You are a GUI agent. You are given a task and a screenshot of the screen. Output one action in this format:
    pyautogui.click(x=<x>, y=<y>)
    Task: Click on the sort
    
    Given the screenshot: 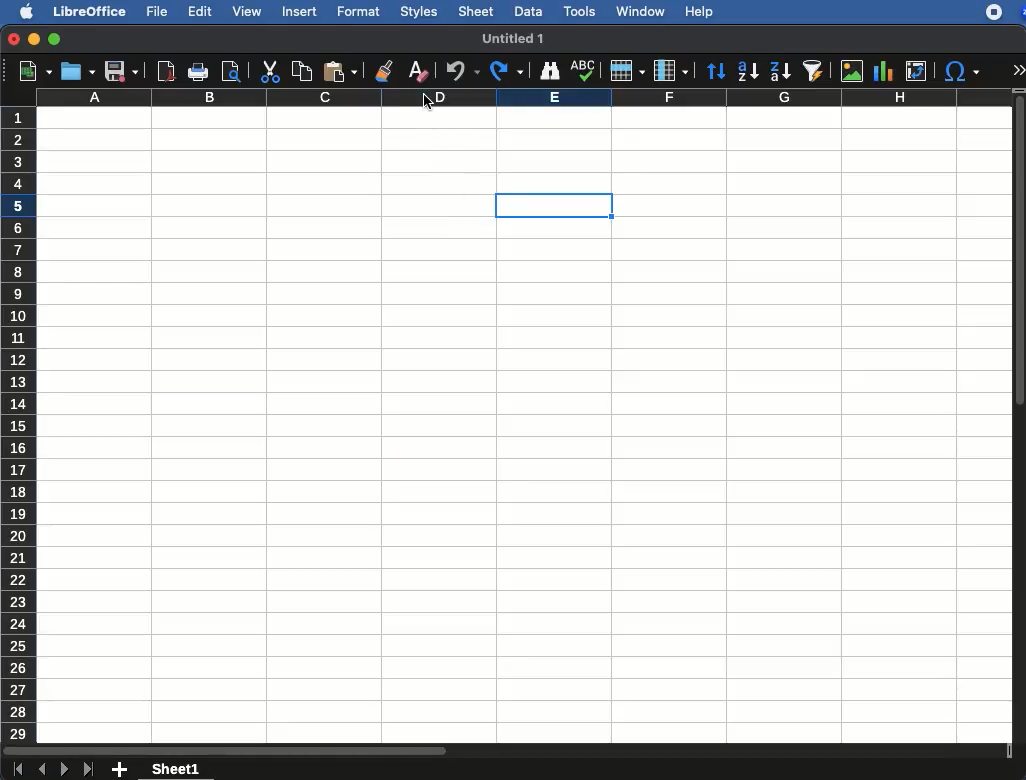 What is the action you would take?
    pyautogui.click(x=812, y=72)
    